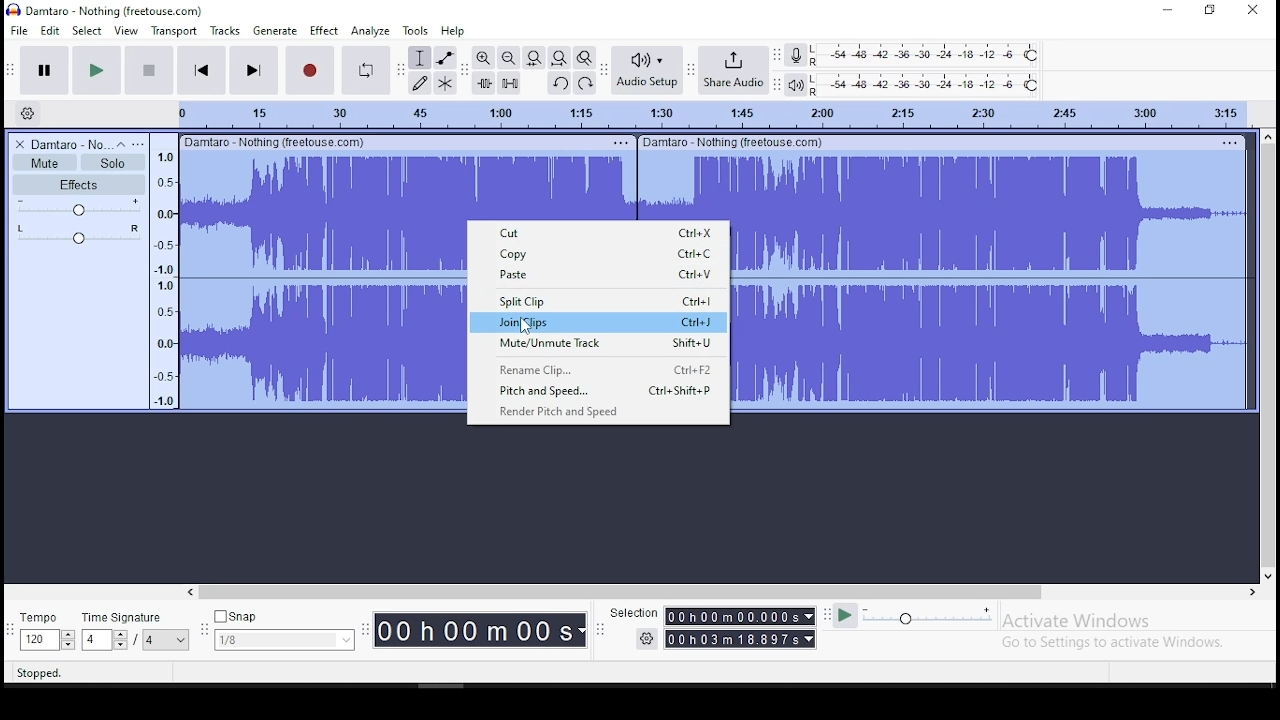 The width and height of the screenshot is (1280, 720). Describe the element at coordinates (86, 31) in the screenshot. I see `select` at that location.